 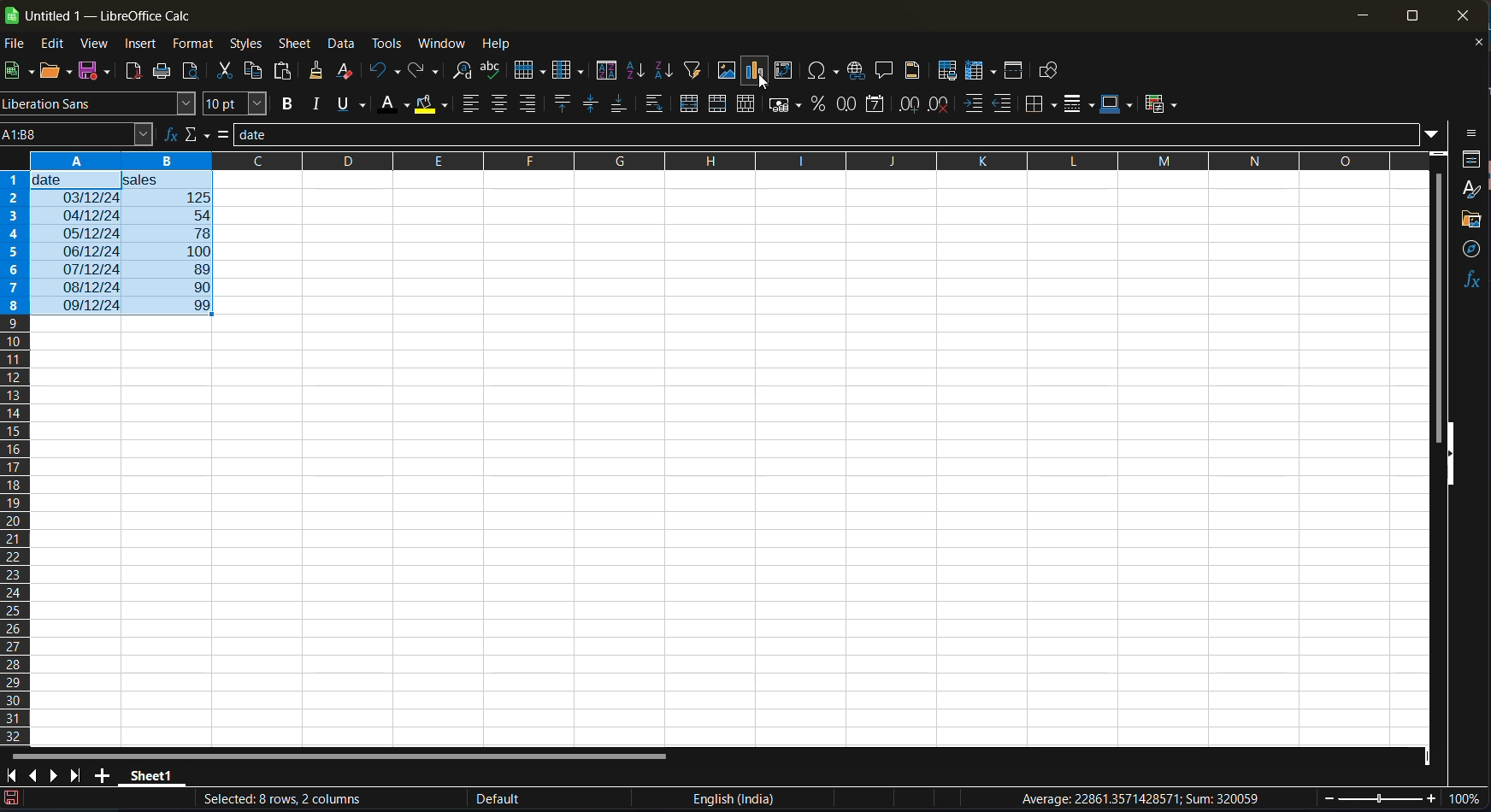 What do you see at coordinates (911, 106) in the screenshot?
I see `add decimal place` at bounding box center [911, 106].